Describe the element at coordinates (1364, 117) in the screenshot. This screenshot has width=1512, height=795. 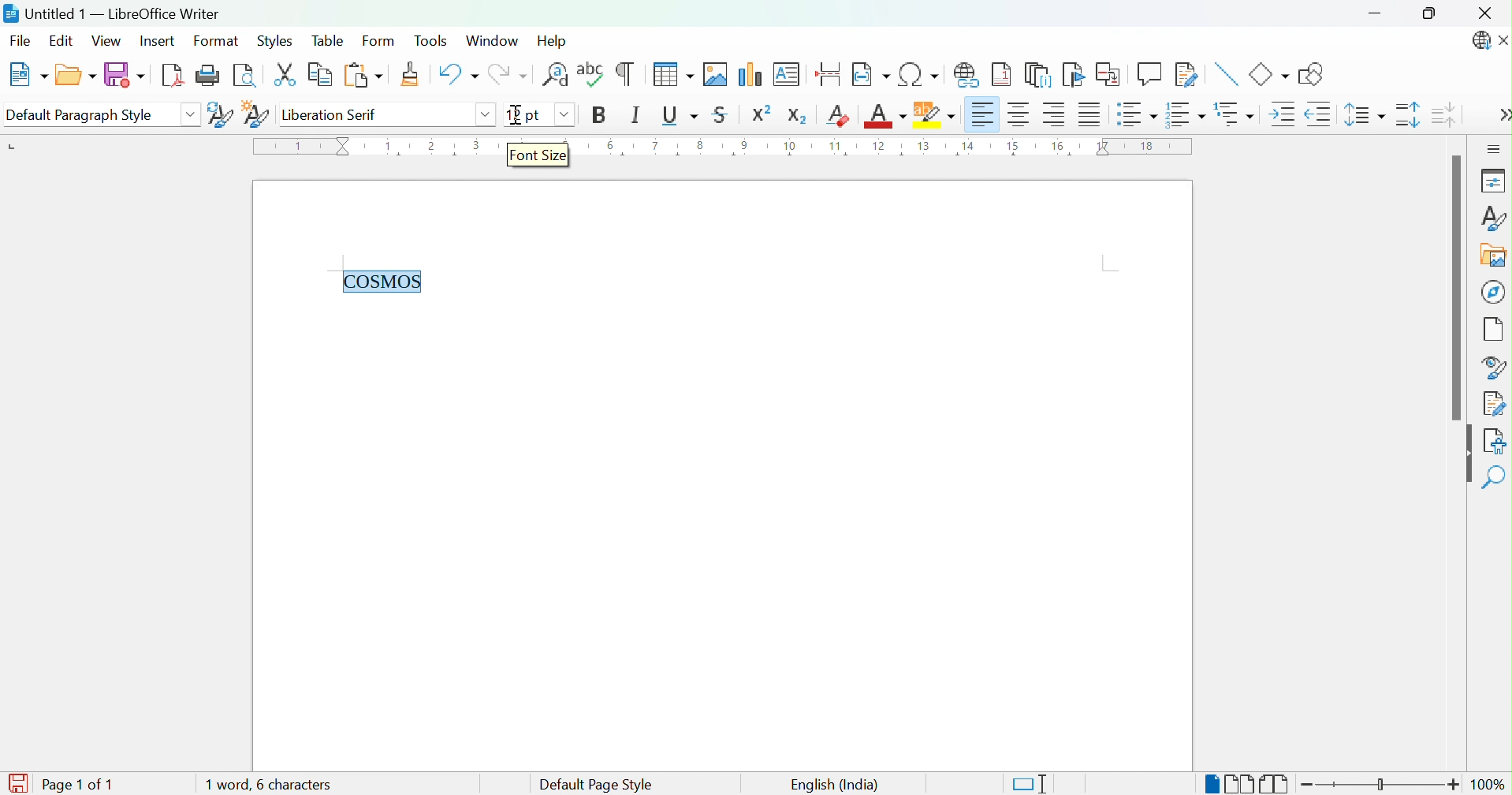
I see `Set Line Spacing` at that location.